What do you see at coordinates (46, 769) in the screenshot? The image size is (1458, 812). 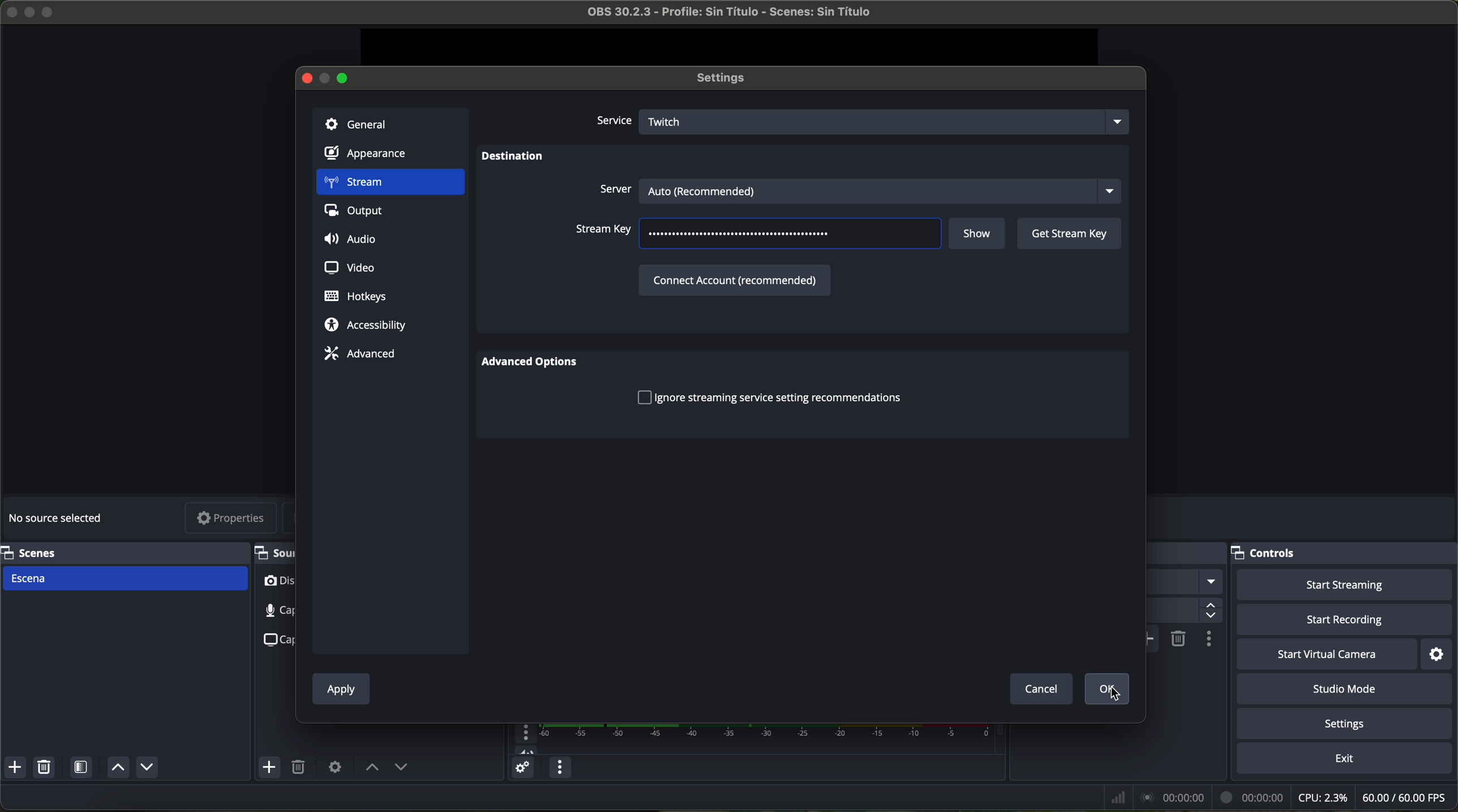 I see `remove selected scene` at bounding box center [46, 769].